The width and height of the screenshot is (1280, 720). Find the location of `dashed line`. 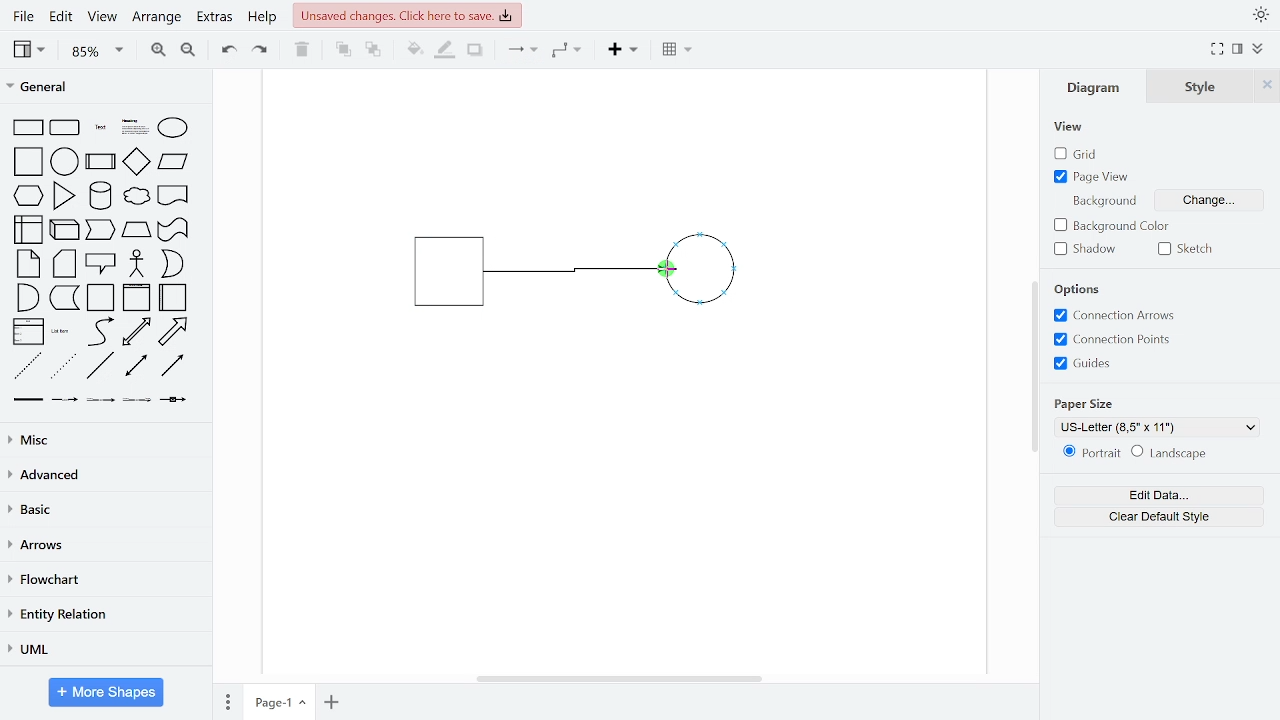

dashed line is located at coordinates (28, 367).